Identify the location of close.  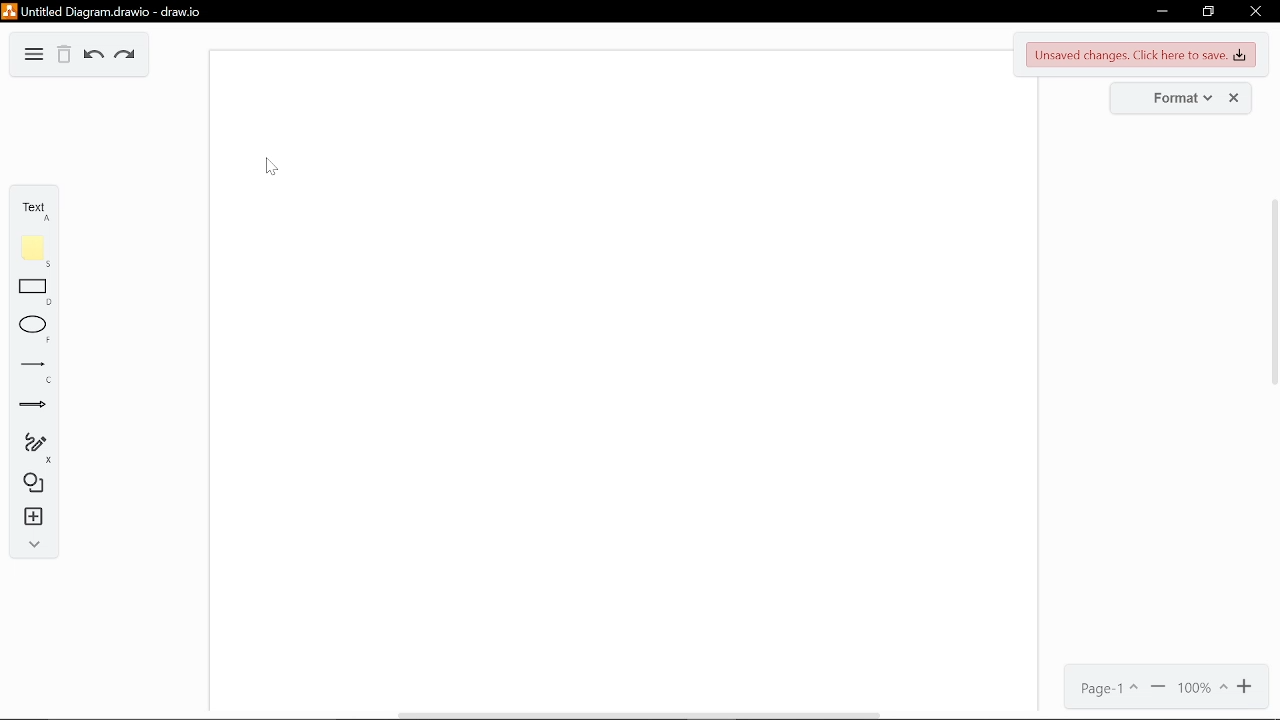
(1257, 12).